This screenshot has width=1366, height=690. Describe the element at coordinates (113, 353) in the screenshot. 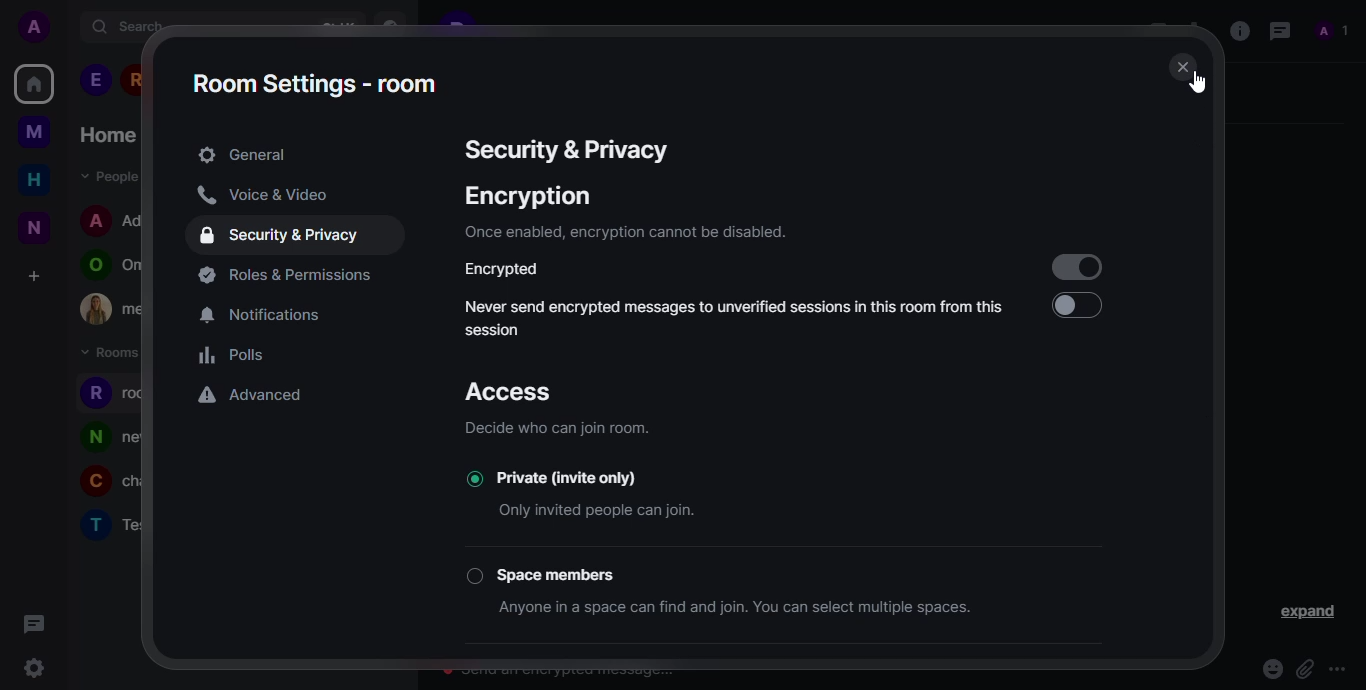

I see `rooms` at that location.